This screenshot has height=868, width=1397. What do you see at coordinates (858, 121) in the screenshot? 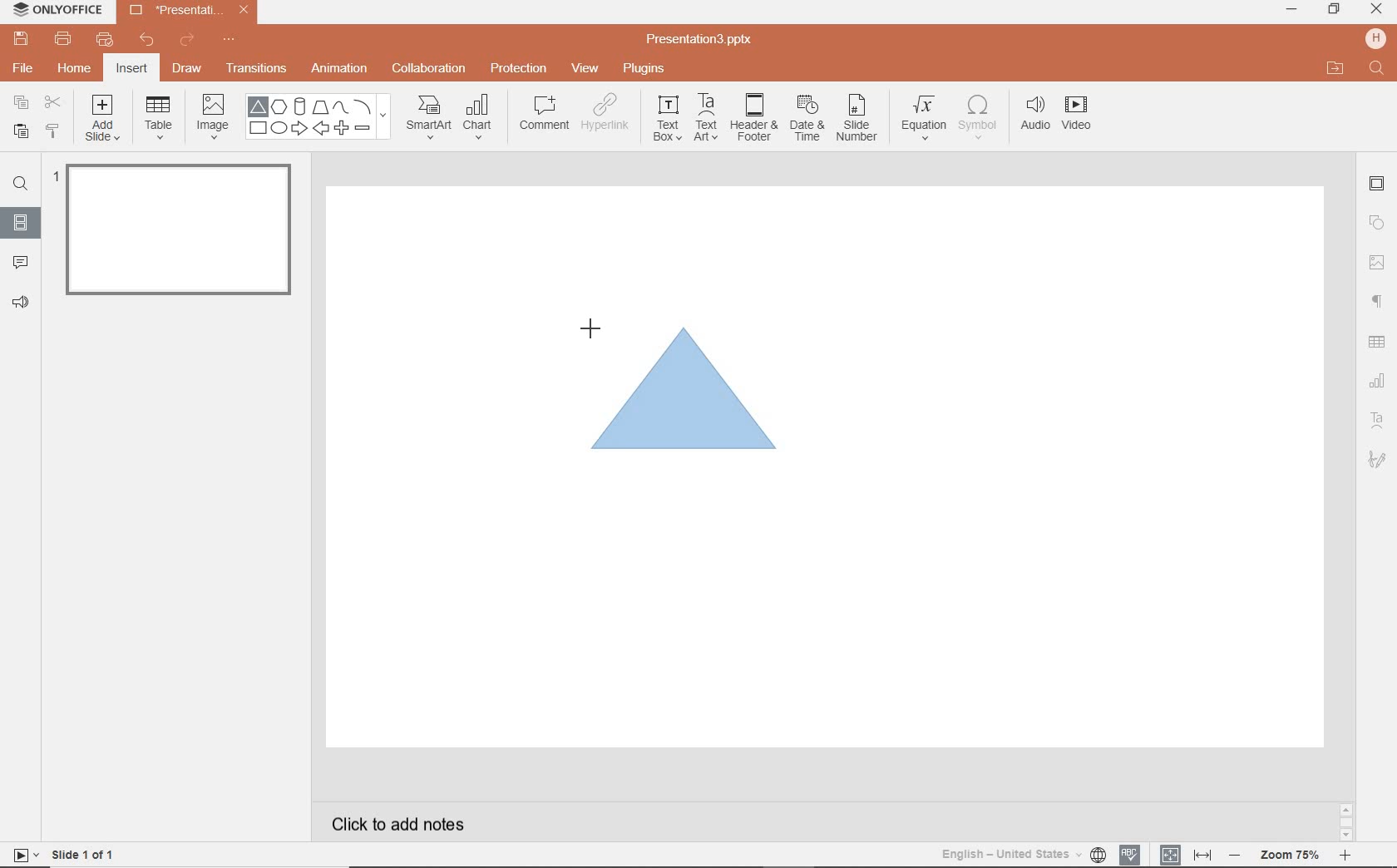
I see `SLIDE NUMBER` at bounding box center [858, 121].